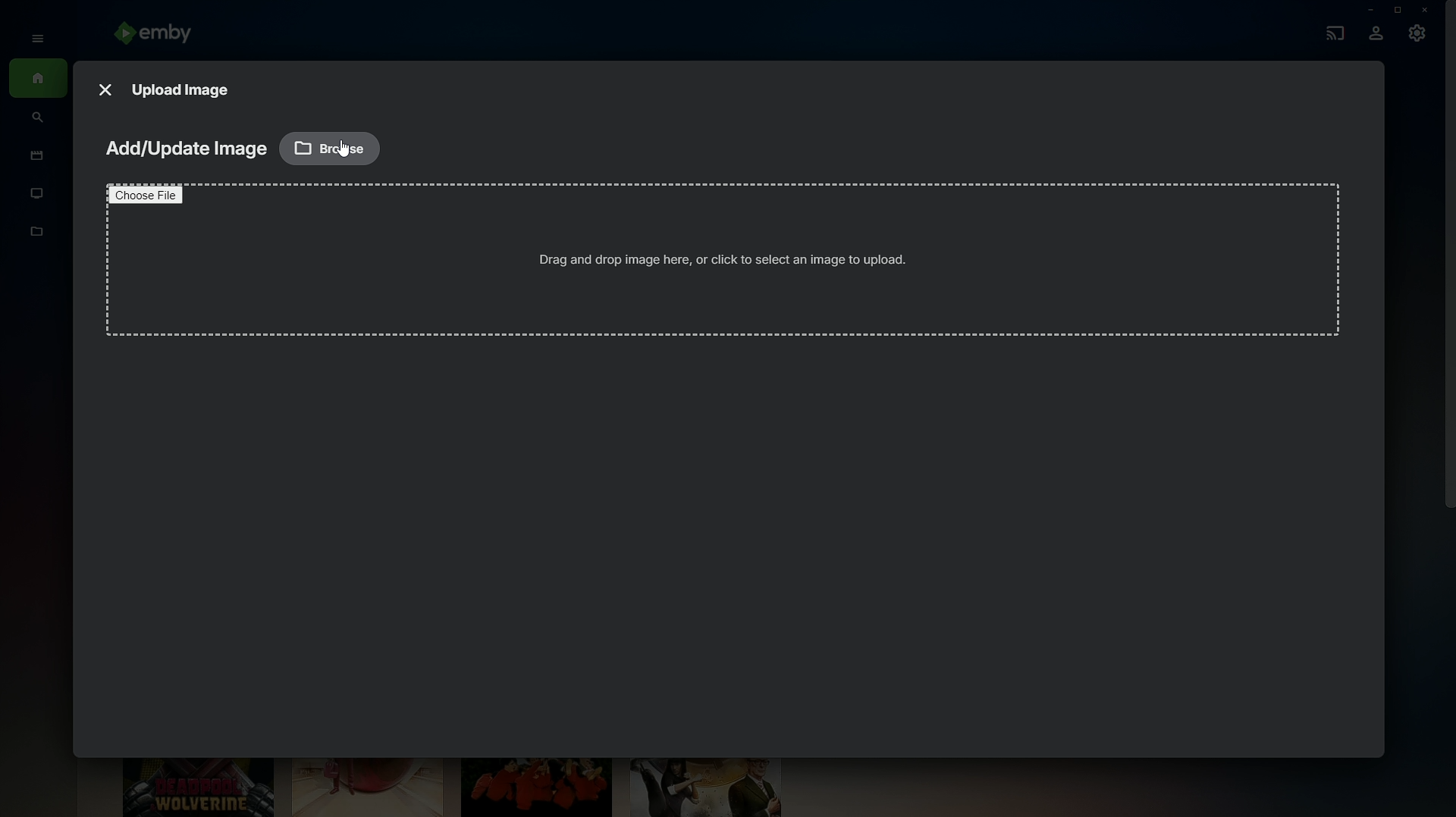 This screenshot has width=1456, height=817. What do you see at coordinates (1427, 10) in the screenshot?
I see `Close` at bounding box center [1427, 10].